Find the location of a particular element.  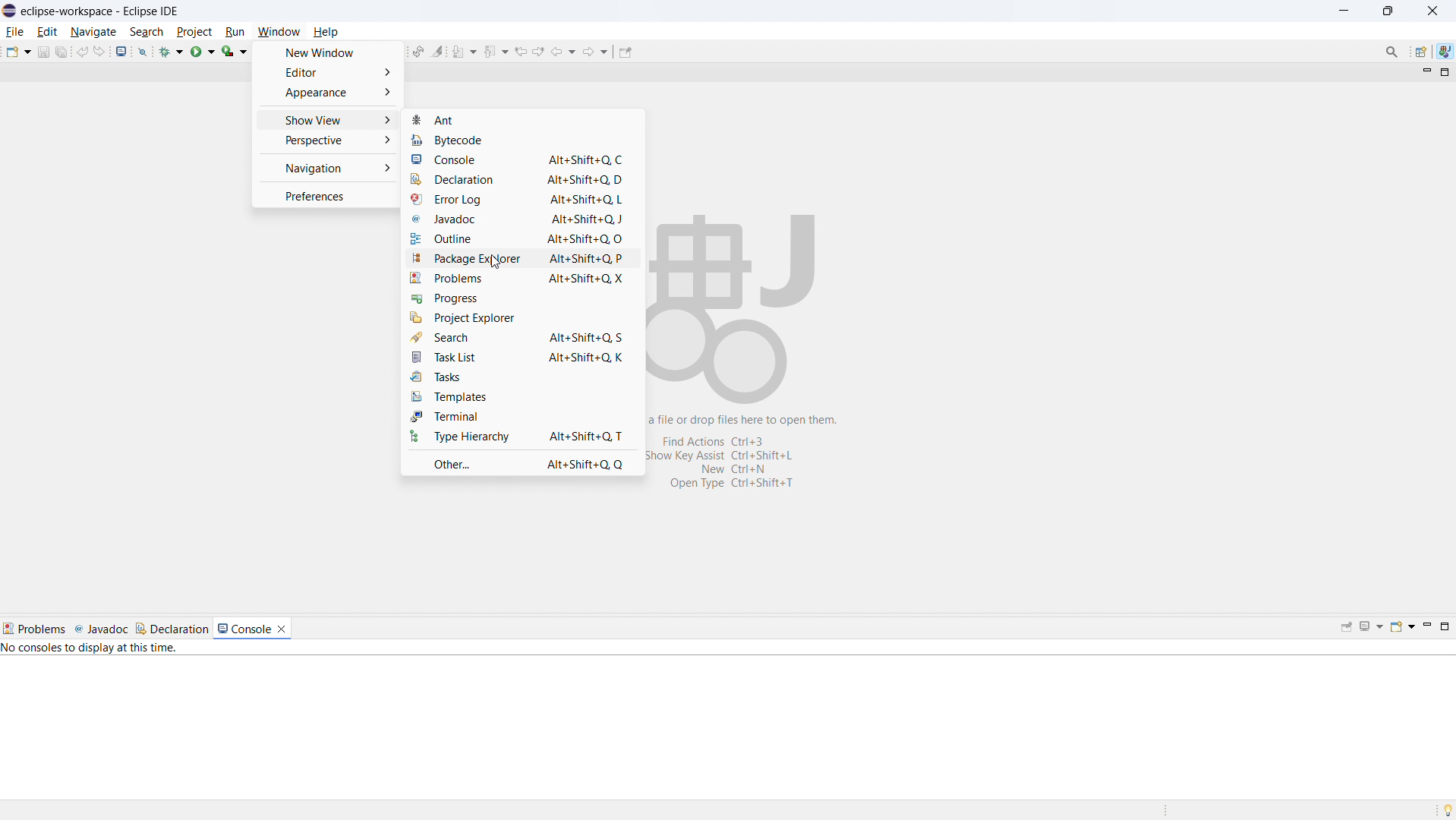

terminal is located at coordinates (522, 416).